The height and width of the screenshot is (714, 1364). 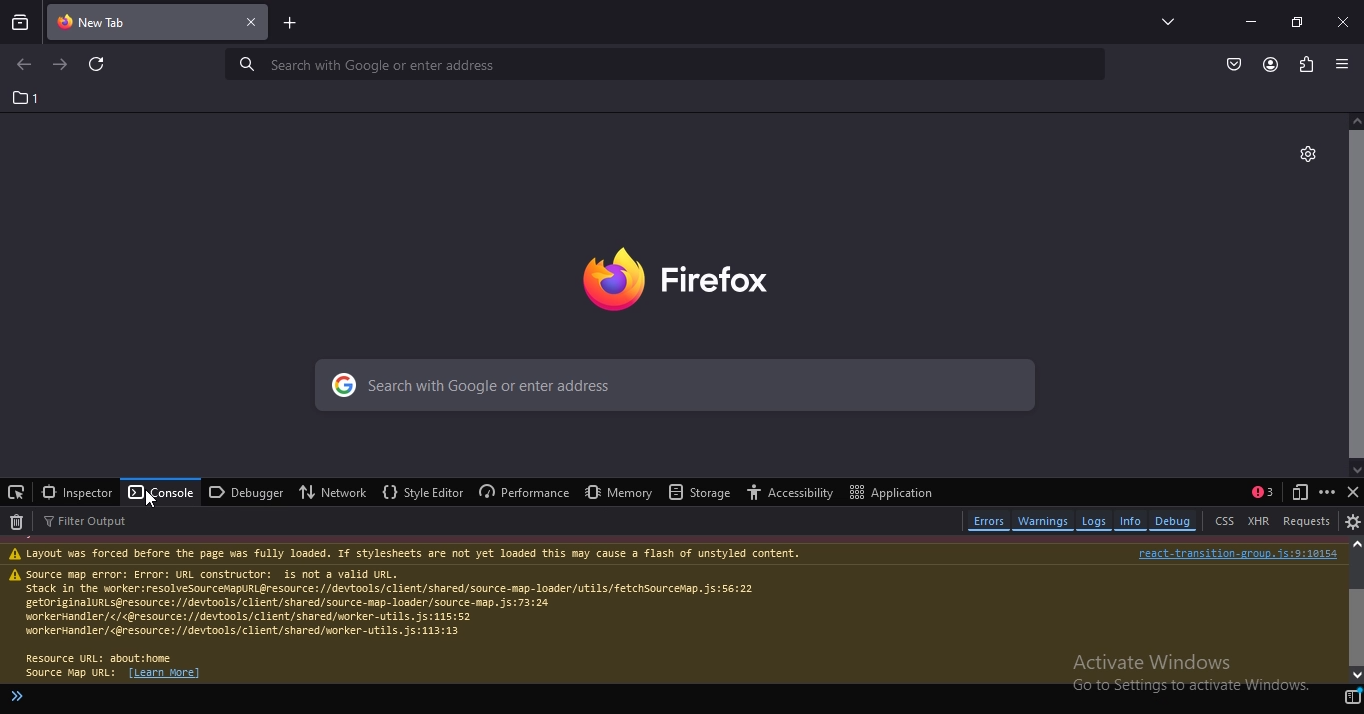 What do you see at coordinates (889, 492) in the screenshot?
I see `application` at bounding box center [889, 492].